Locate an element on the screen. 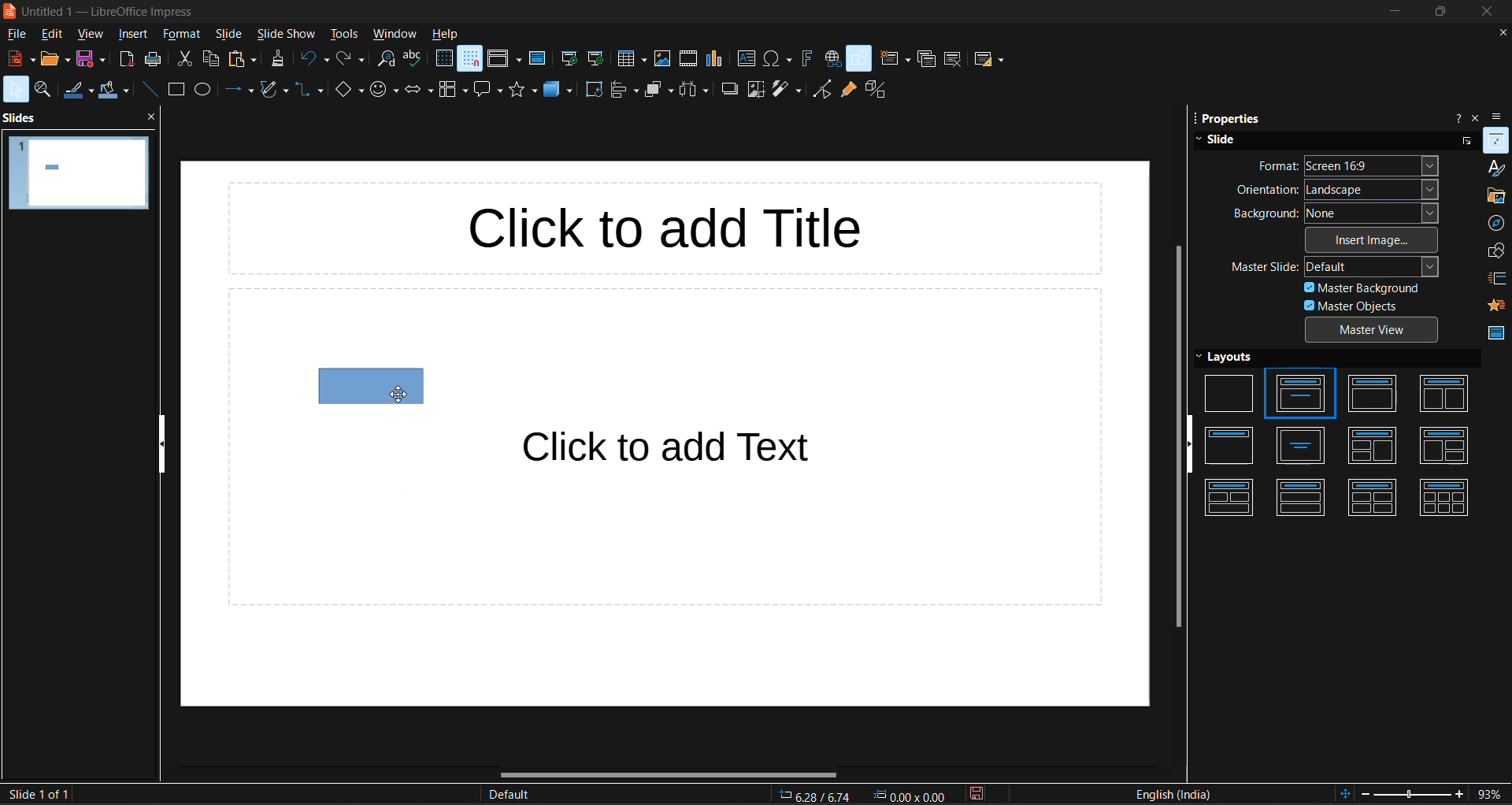  properties is located at coordinates (1227, 119).